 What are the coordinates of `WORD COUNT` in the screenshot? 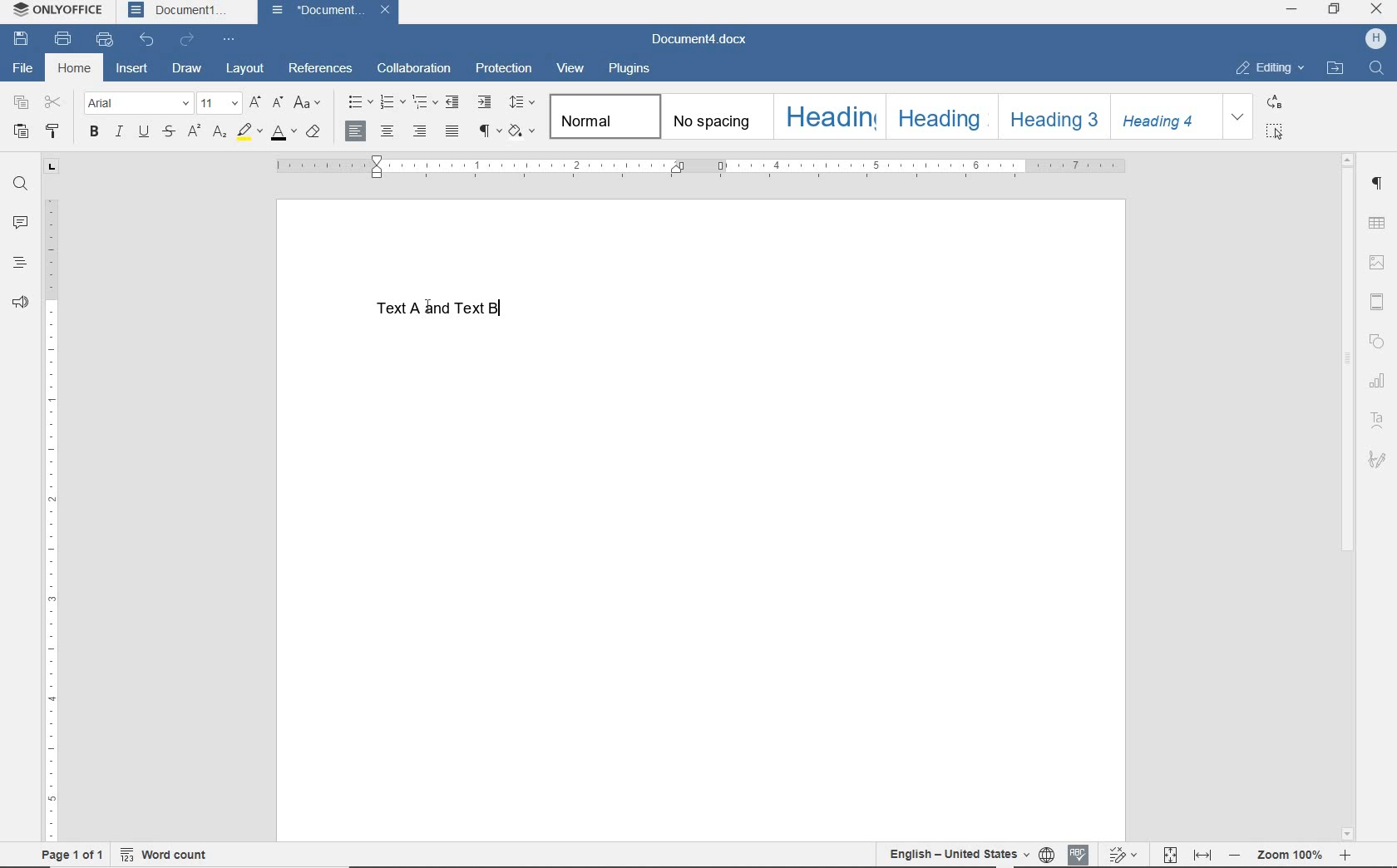 It's located at (173, 852).